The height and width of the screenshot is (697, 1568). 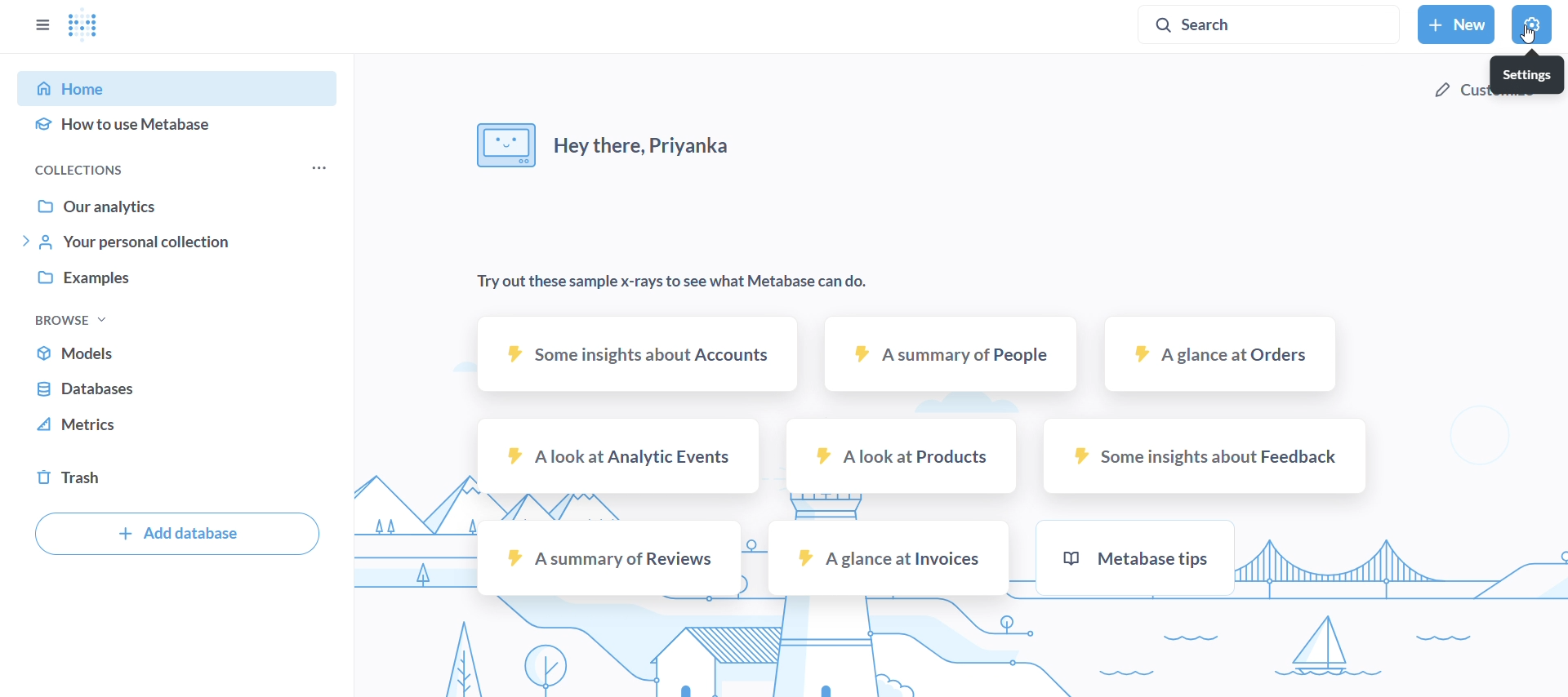 What do you see at coordinates (1530, 25) in the screenshot?
I see `settings` at bounding box center [1530, 25].